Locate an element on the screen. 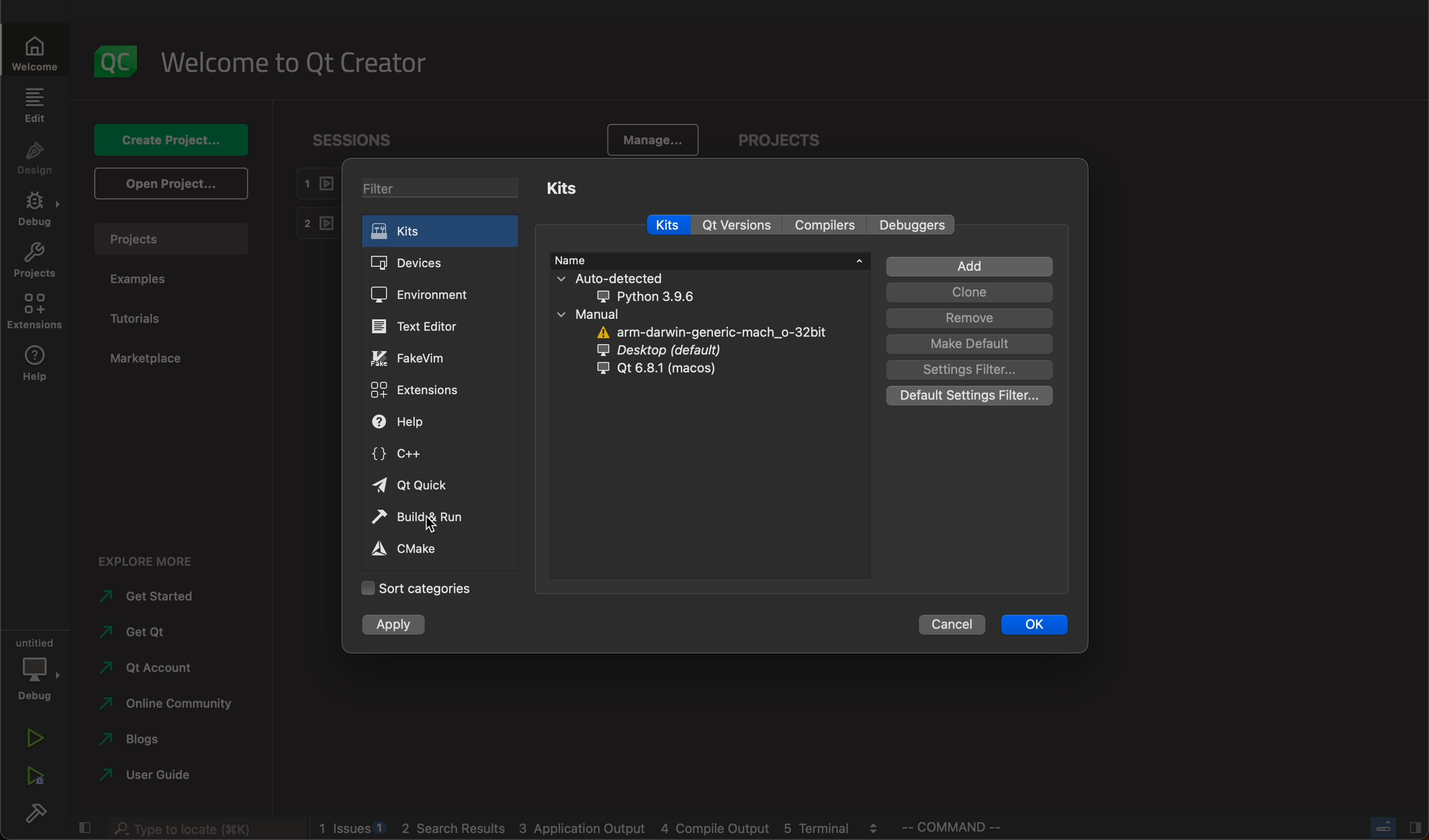 This screenshot has width=1429, height=840. projects is located at coordinates (170, 239).